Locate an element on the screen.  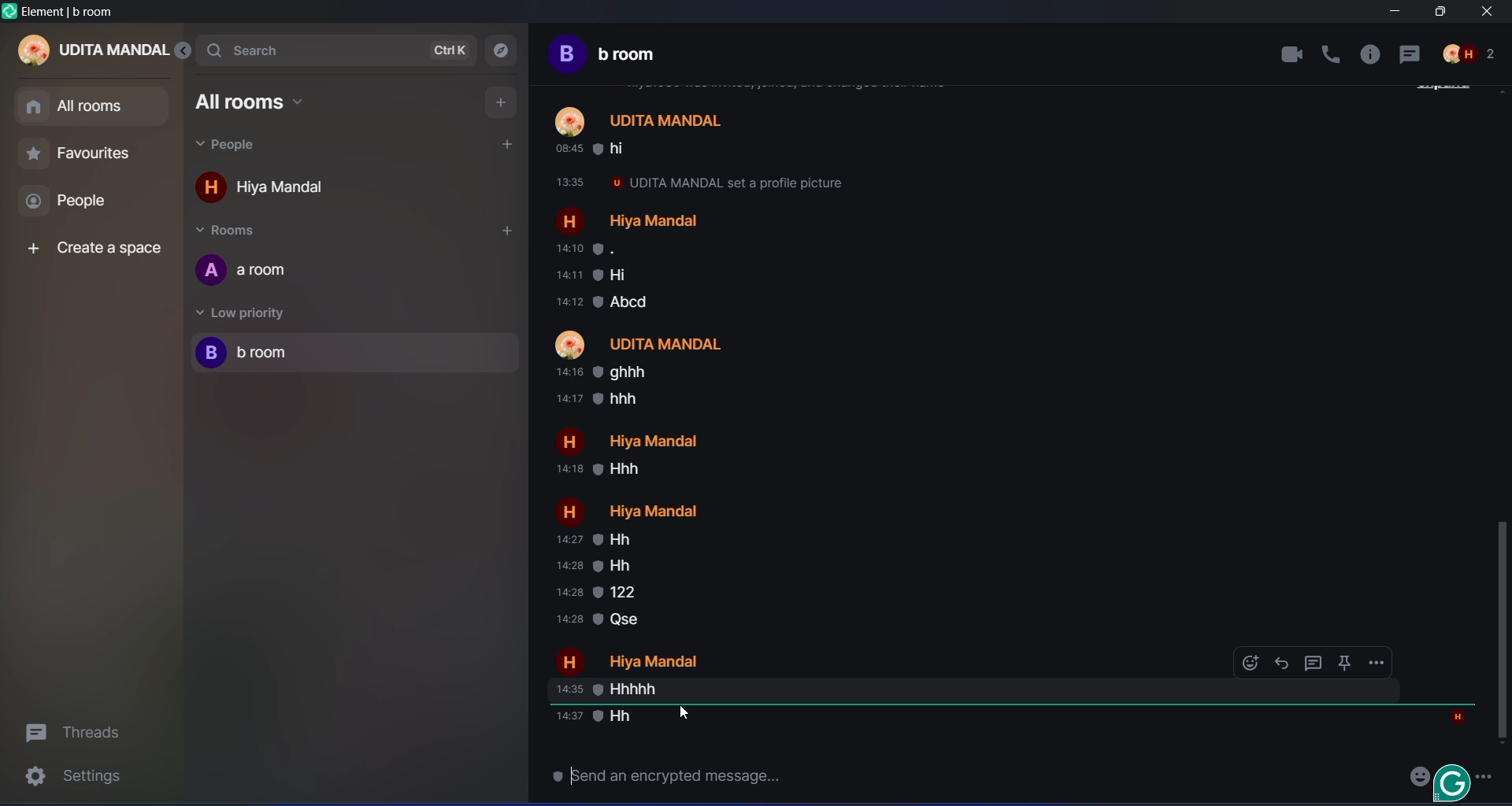
Cursor  is located at coordinates (681, 715).